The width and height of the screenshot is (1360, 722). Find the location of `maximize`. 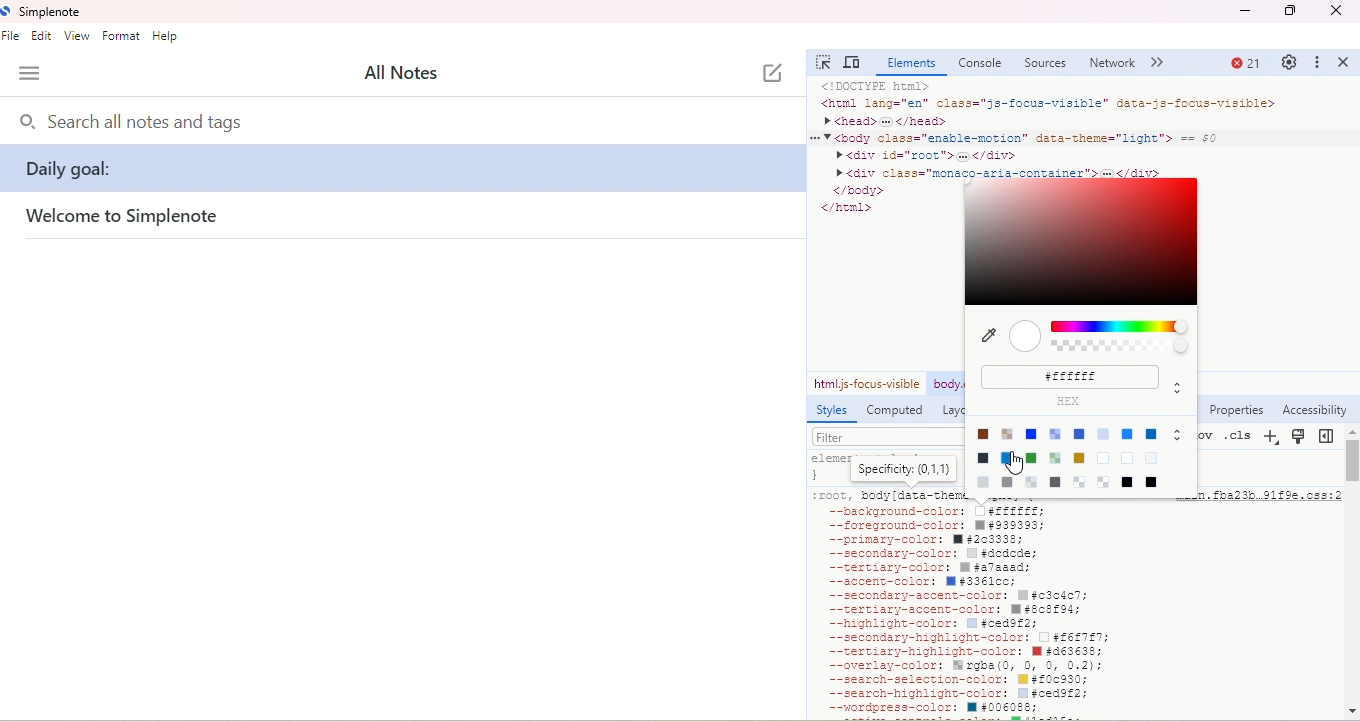

maximize is located at coordinates (1291, 13).